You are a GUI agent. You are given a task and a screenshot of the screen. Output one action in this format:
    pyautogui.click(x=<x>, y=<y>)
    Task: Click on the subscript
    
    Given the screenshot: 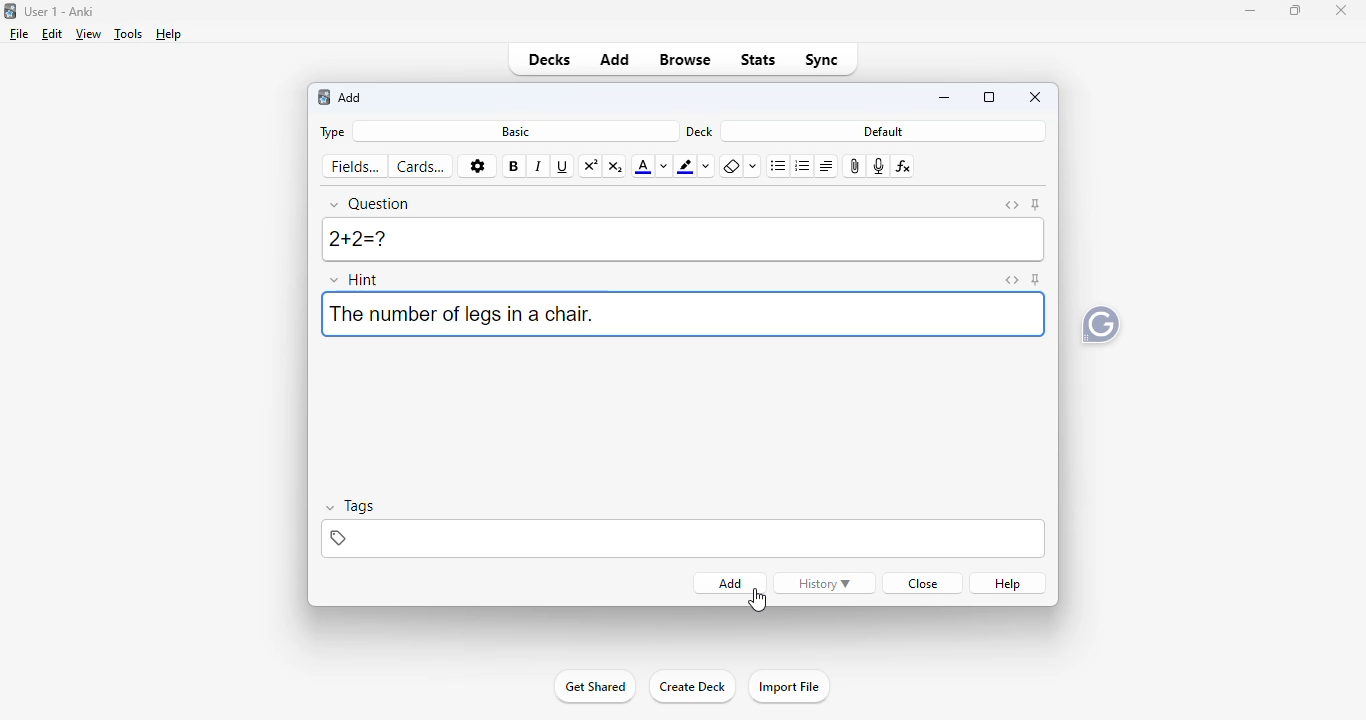 What is the action you would take?
    pyautogui.click(x=616, y=168)
    